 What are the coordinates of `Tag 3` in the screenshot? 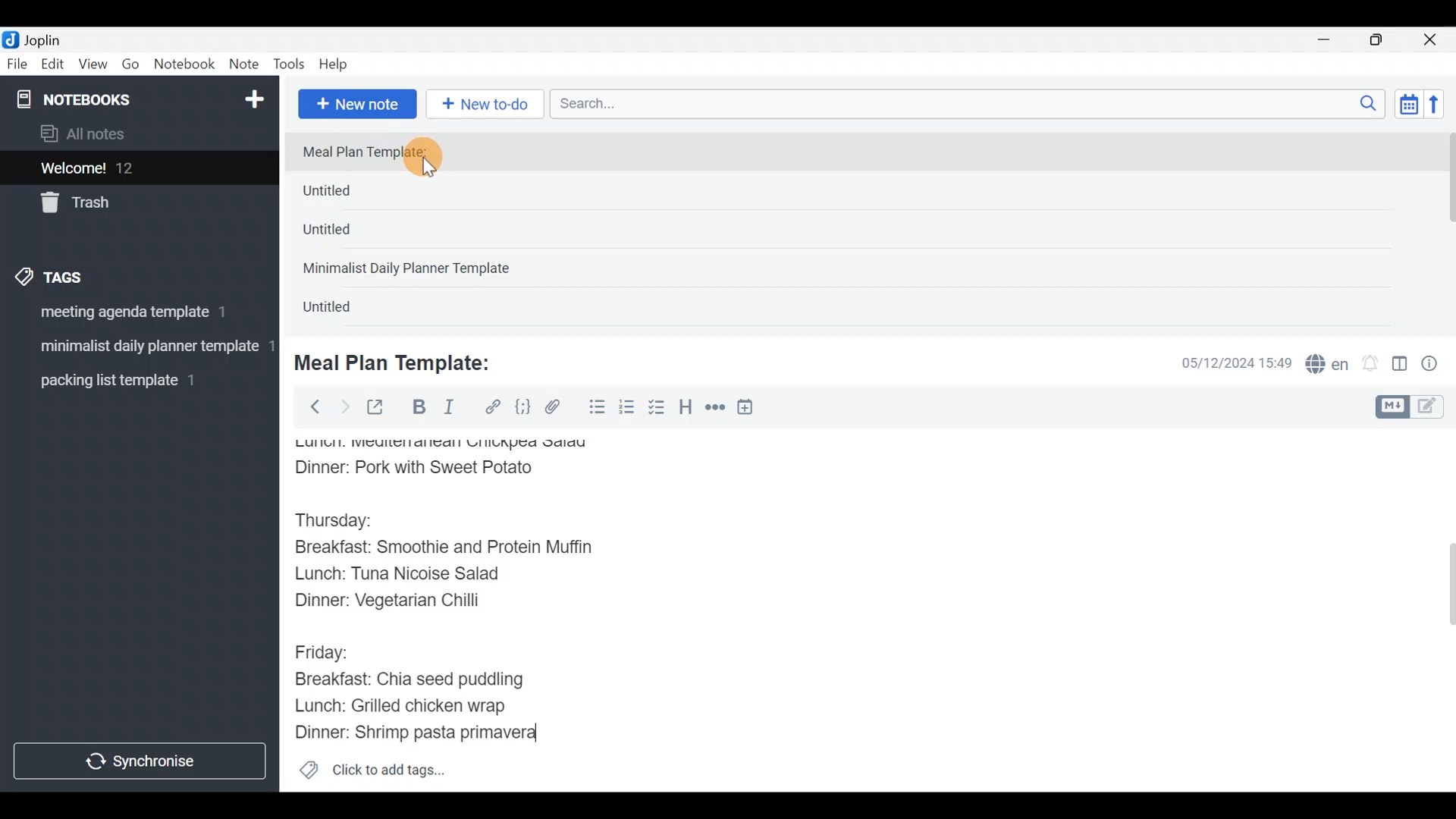 It's located at (134, 380).